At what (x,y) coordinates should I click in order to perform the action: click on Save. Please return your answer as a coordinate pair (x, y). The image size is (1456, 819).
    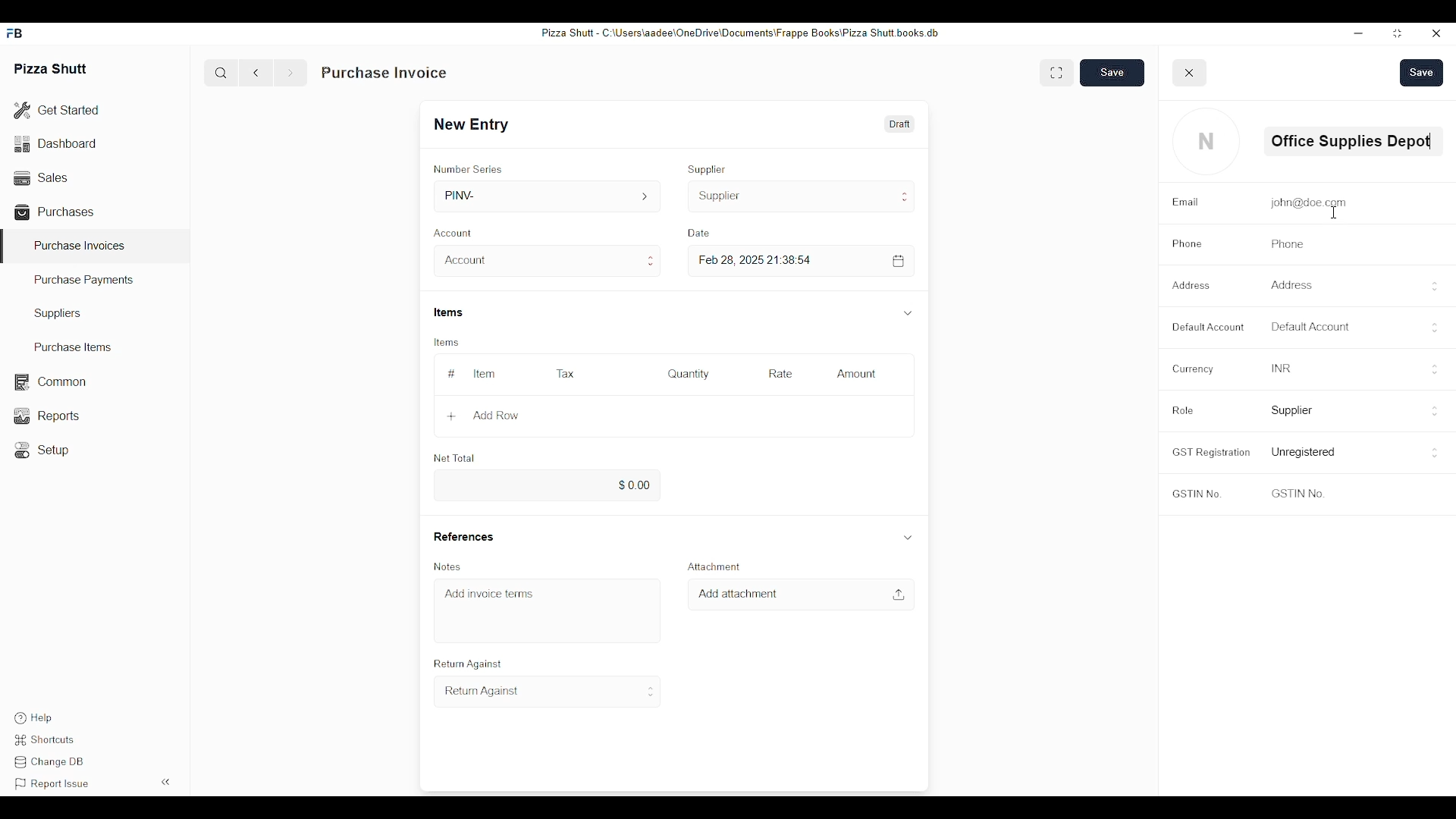
    Looking at the image, I should click on (1422, 73).